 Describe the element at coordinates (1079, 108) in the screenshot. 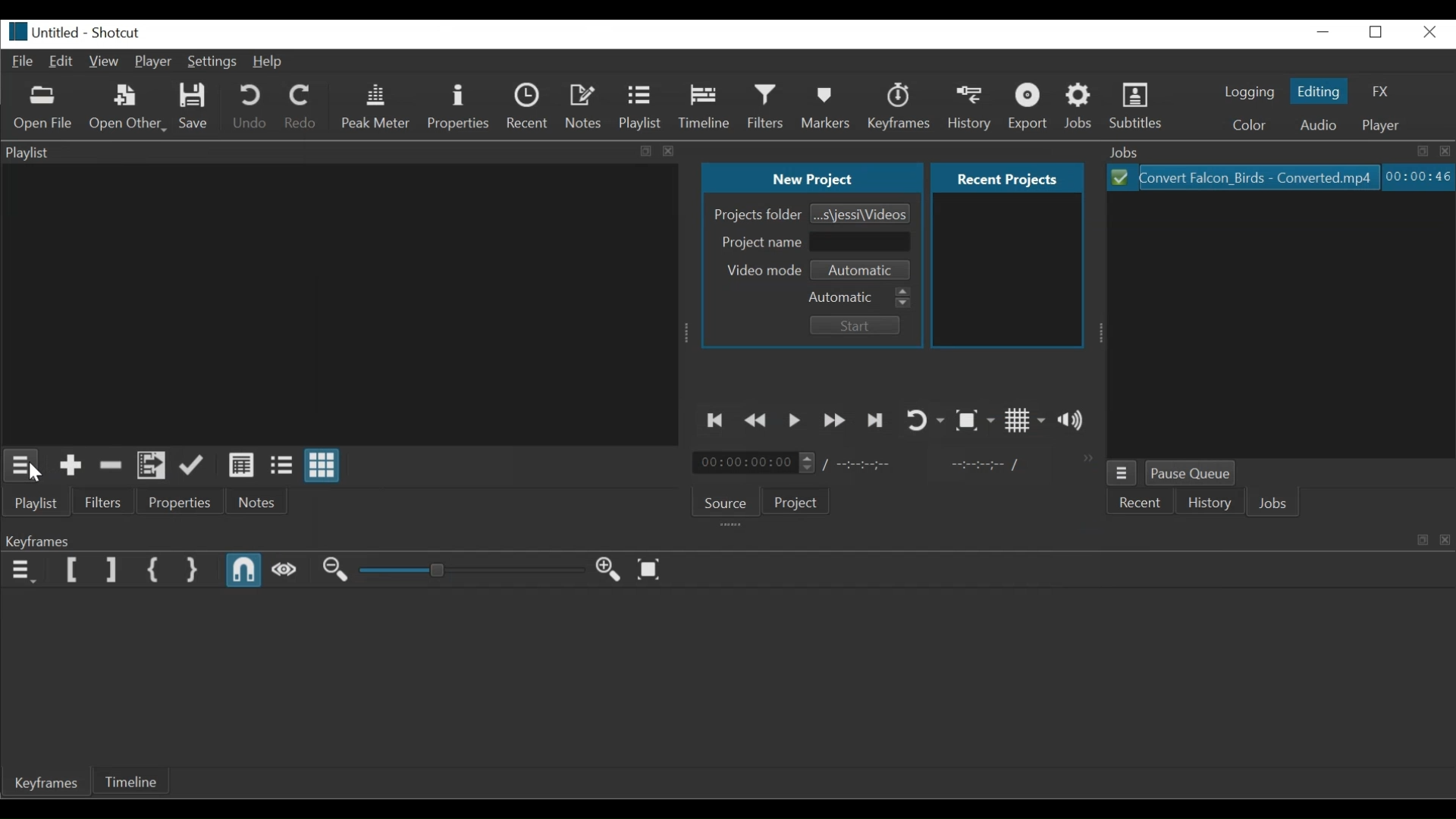

I see `Jobs` at that location.